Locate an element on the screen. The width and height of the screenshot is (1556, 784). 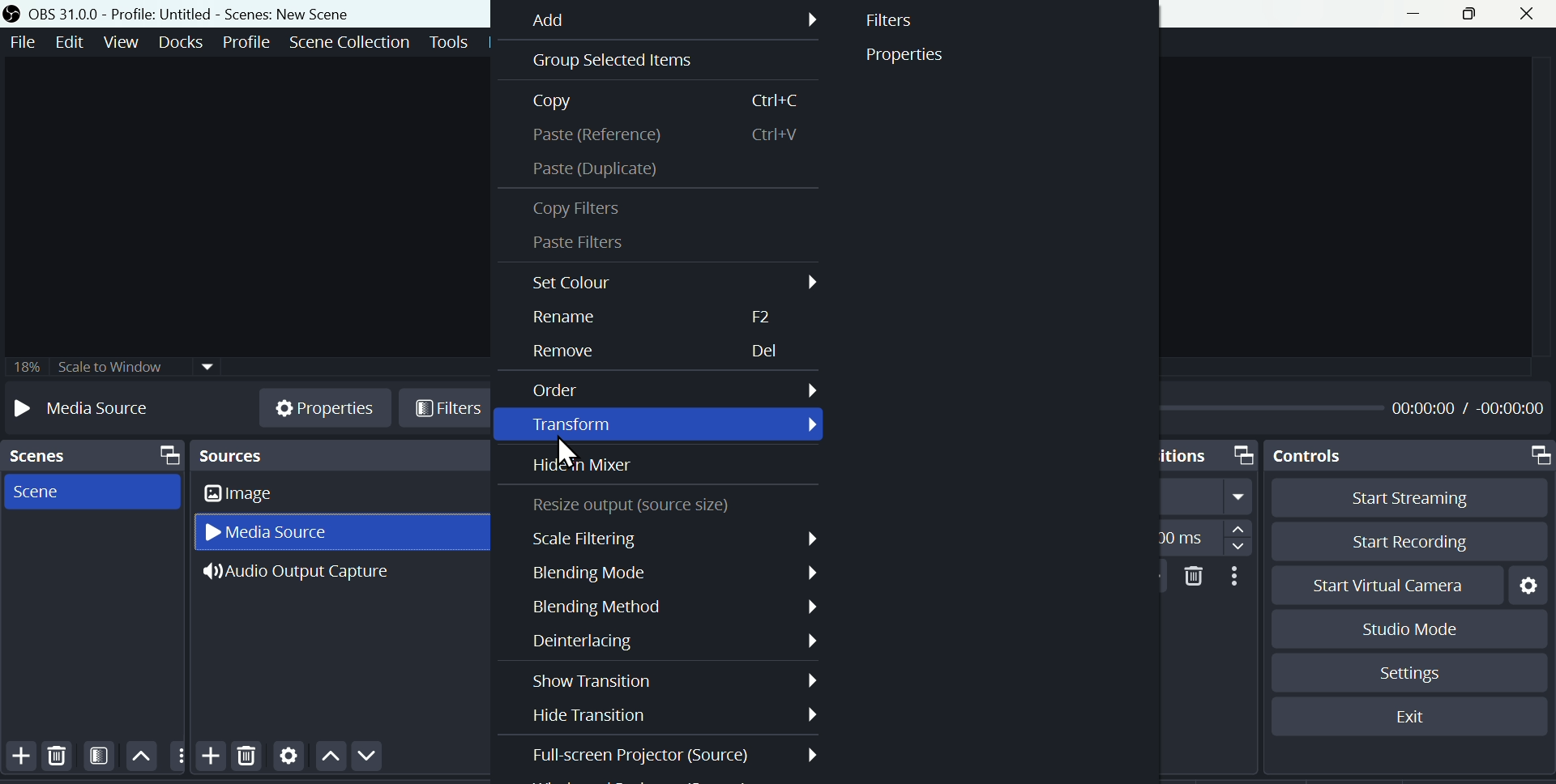
Scale two window is located at coordinates (109, 368).